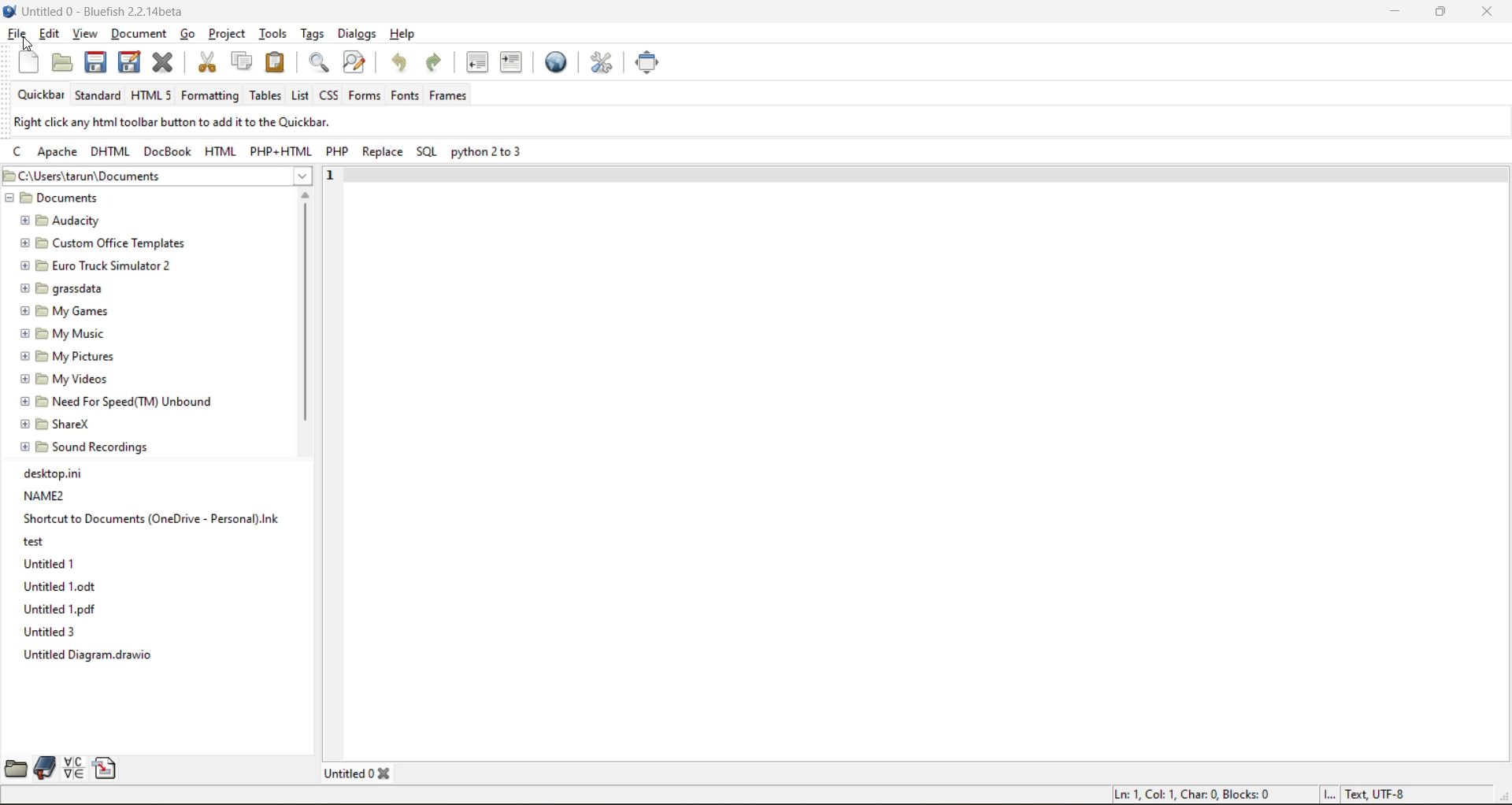 This screenshot has height=805, width=1512. I want to click on frames, so click(456, 98).